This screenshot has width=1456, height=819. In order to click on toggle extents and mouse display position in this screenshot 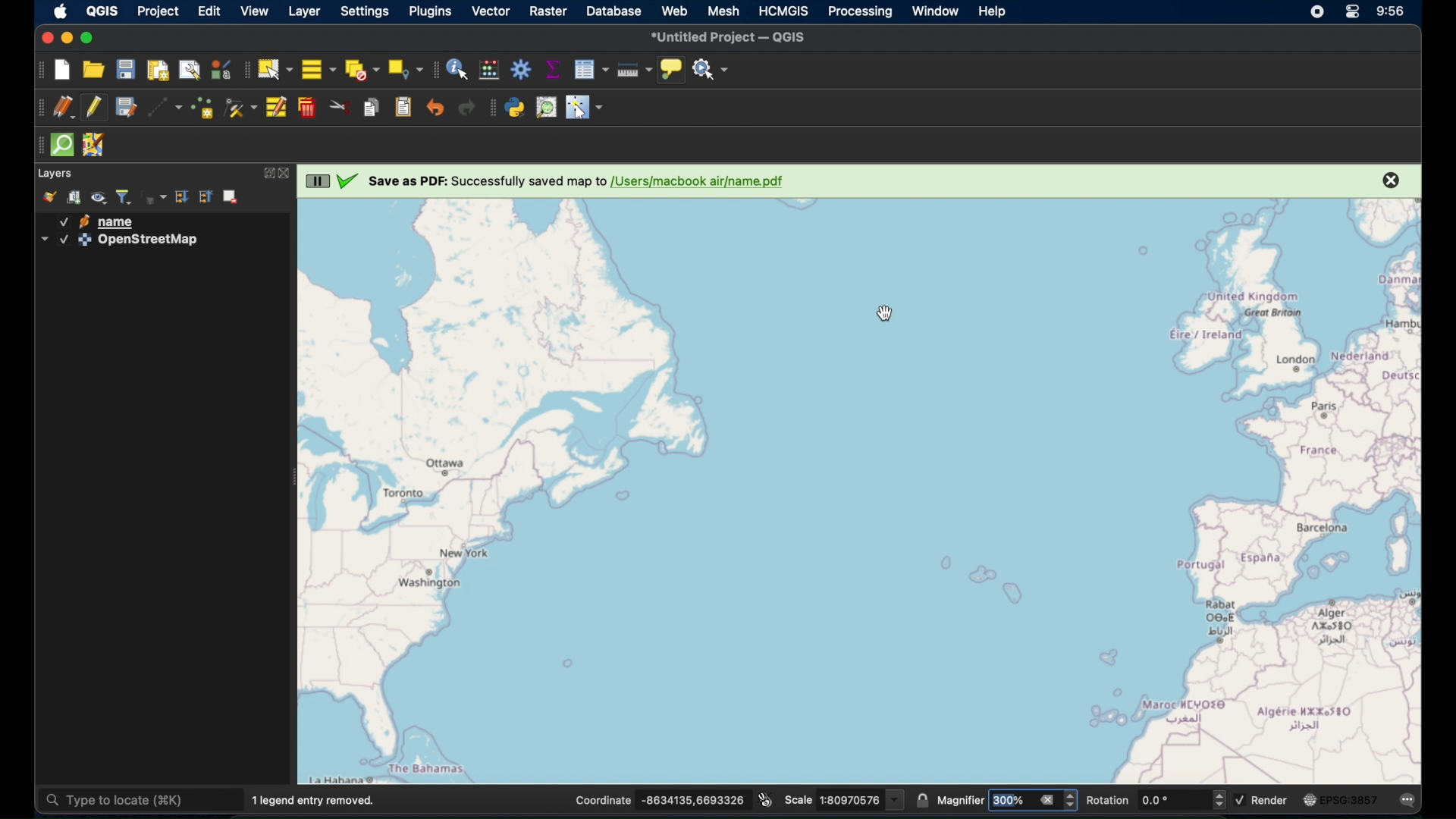, I will do `click(767, 799)`.